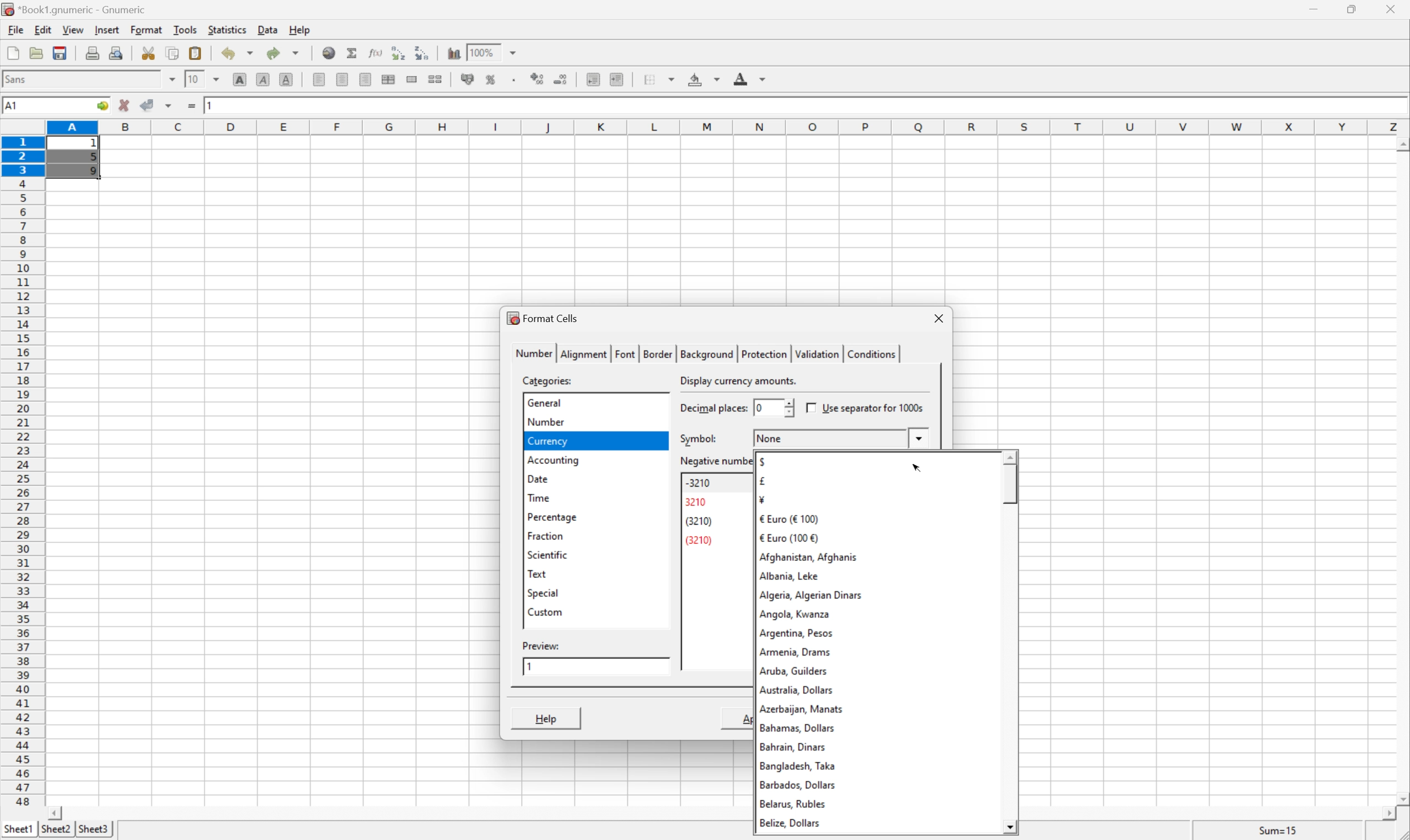 The image size is (1410, 840). I want to click on preview:, so click(542, 645).